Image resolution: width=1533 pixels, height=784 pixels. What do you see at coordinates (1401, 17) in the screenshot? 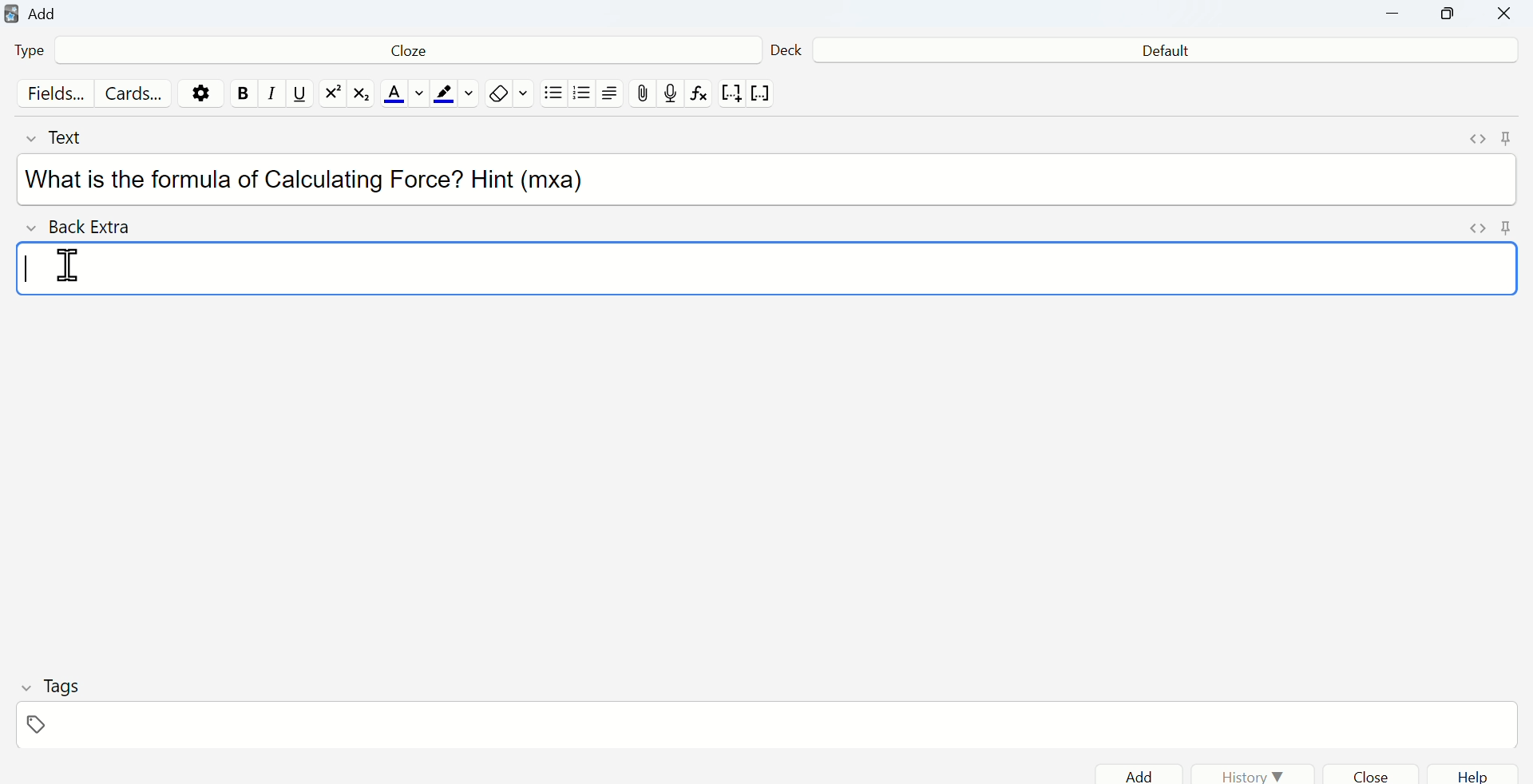
I see `Minimize` at bounding box center [1401, 17].